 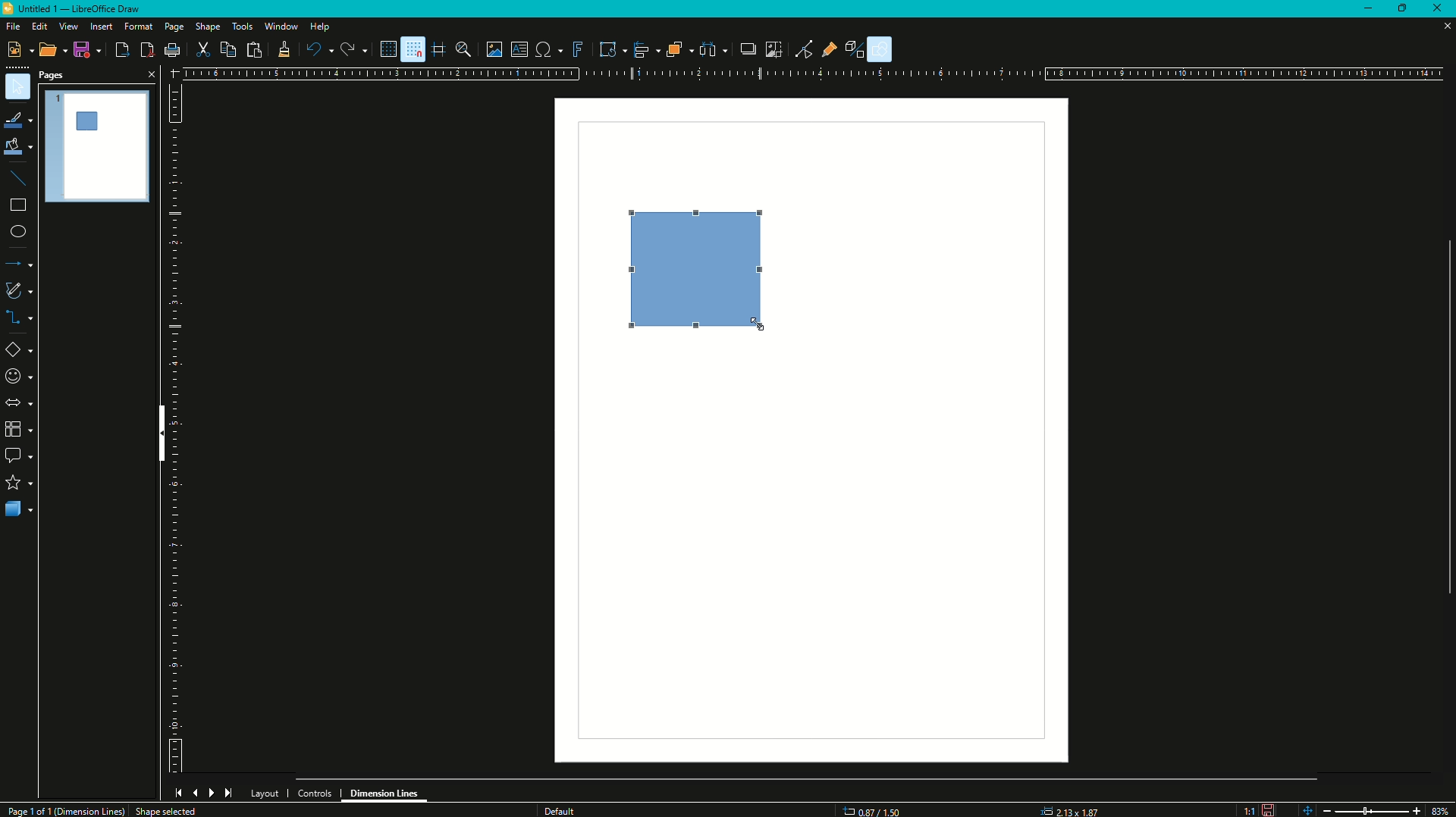 I want to click on Open, so click(x=48, y=51).